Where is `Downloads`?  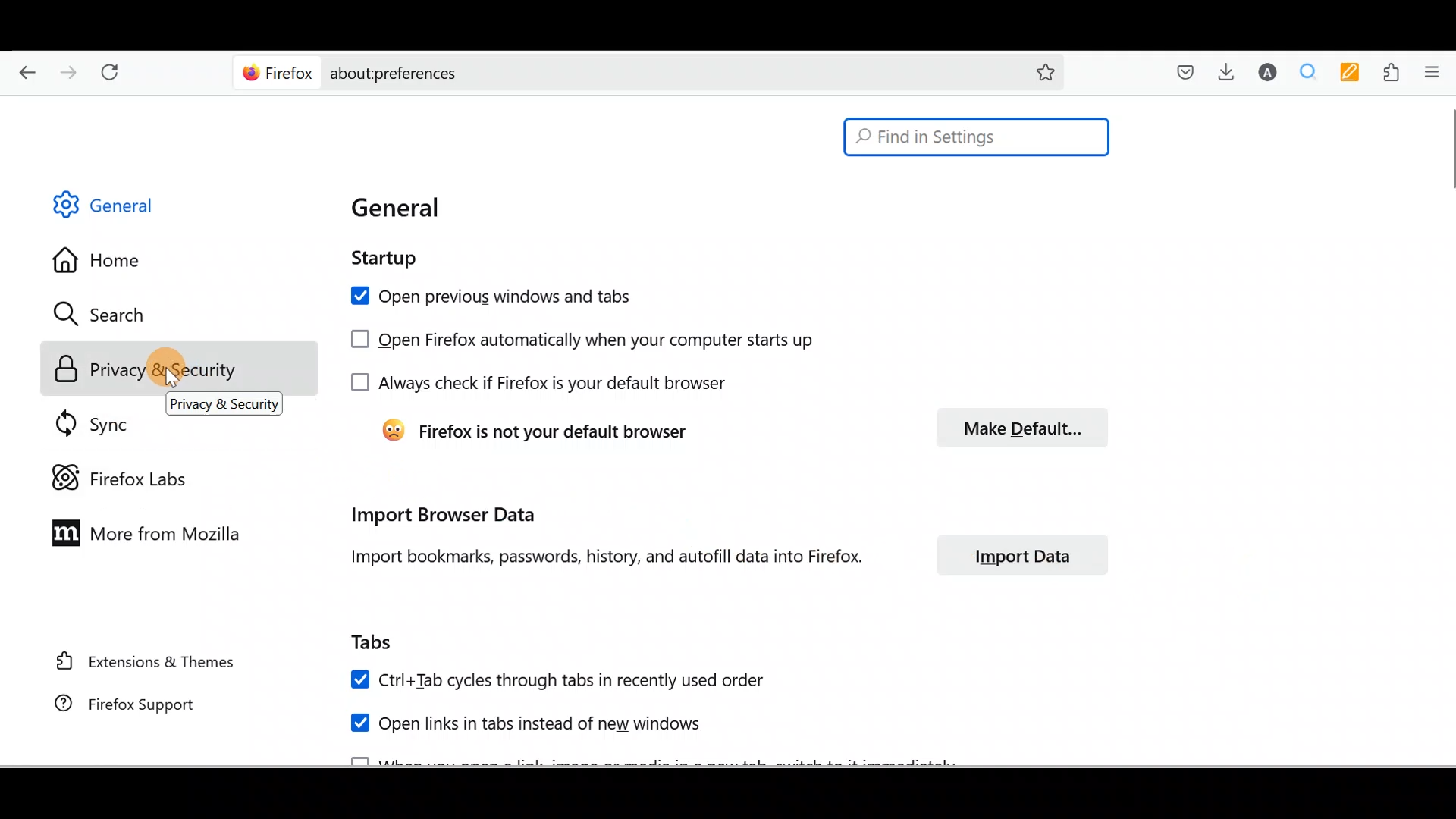 Downloads is located at coordinates (1231, 71).